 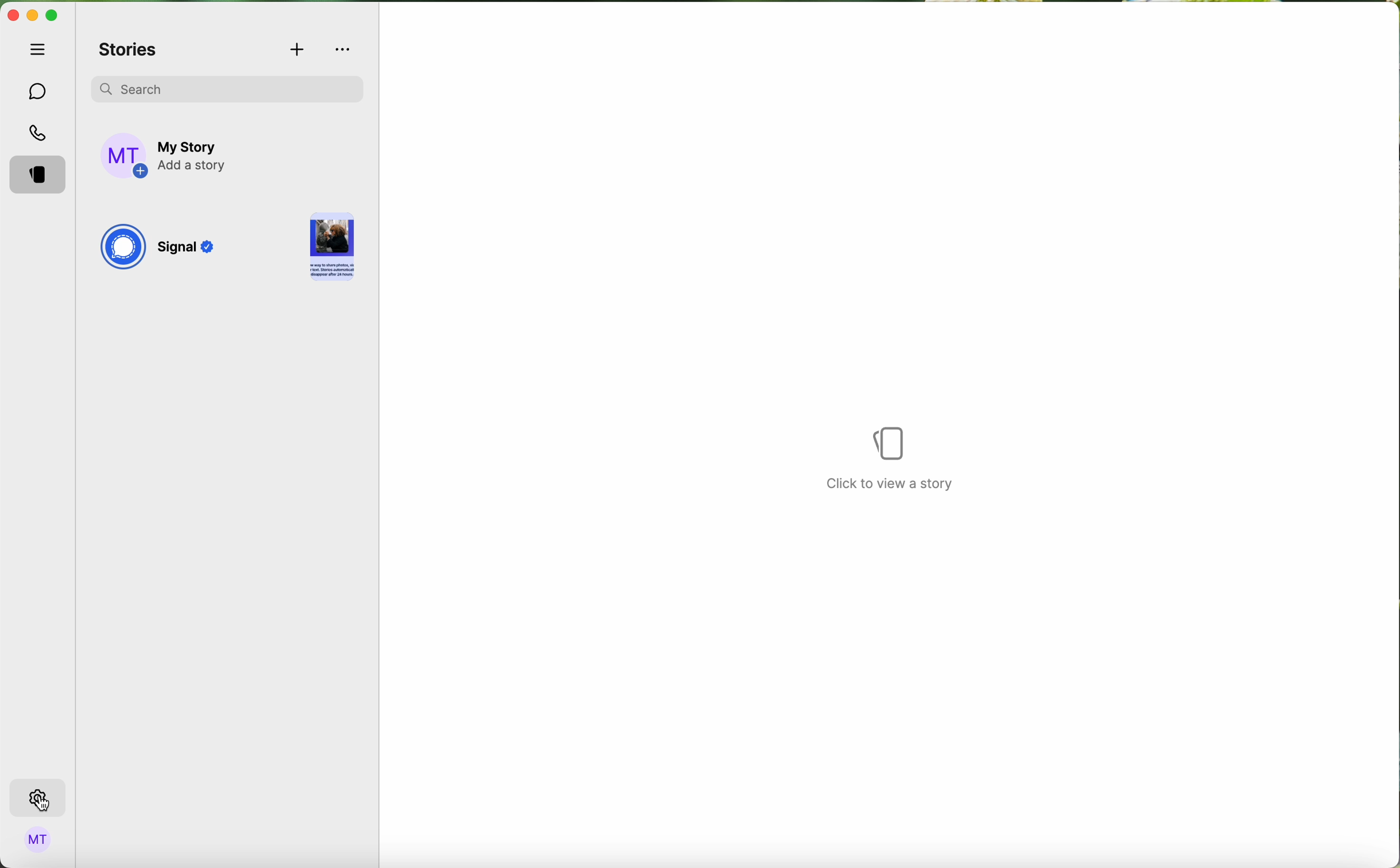 What do you see at coordinates (41, 176) in the screenshot?
I see `stories` at bounding box center [41, 176].